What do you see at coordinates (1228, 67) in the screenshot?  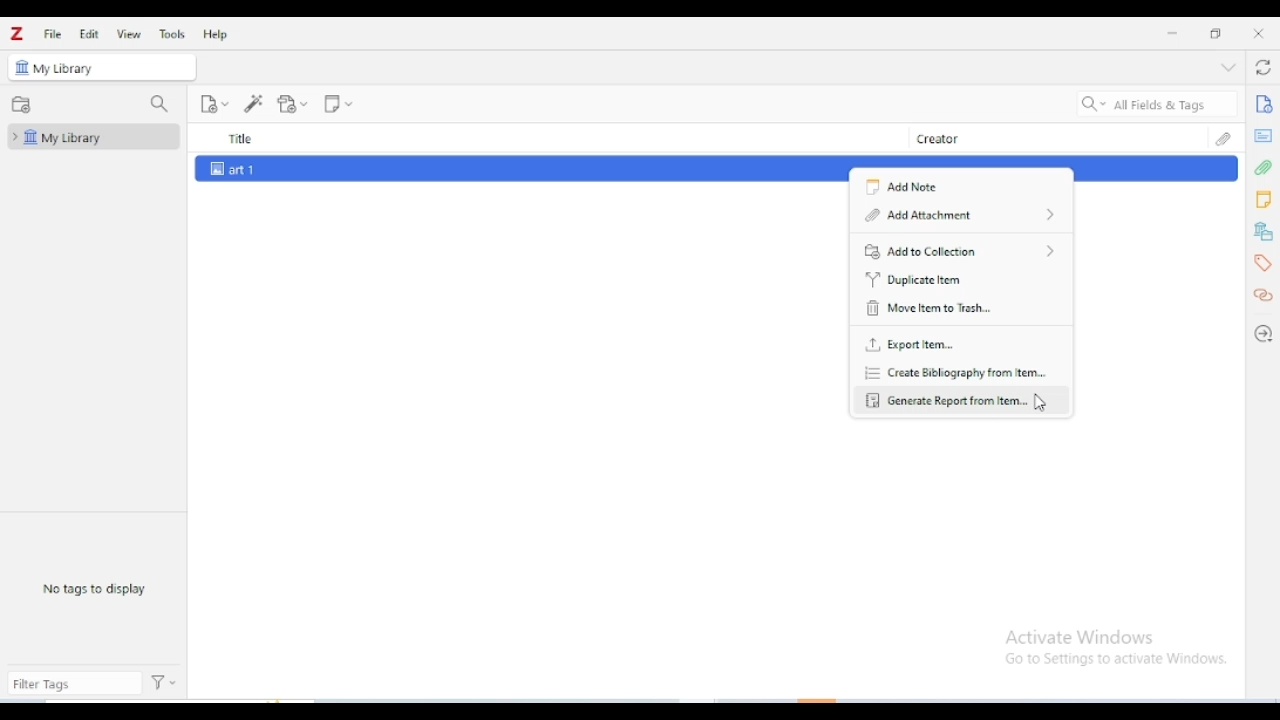 I see `collapse section` at bounding box center [1228, 67].